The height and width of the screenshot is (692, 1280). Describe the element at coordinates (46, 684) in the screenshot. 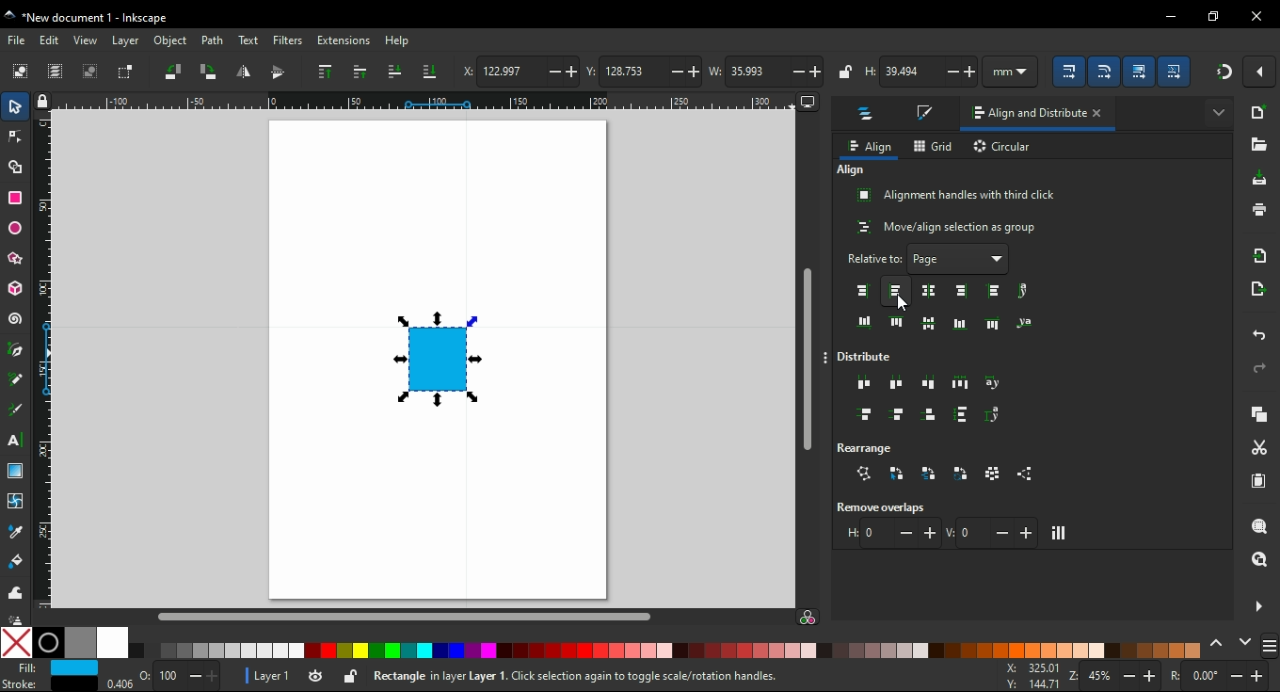

I see `stroke color` at that location.